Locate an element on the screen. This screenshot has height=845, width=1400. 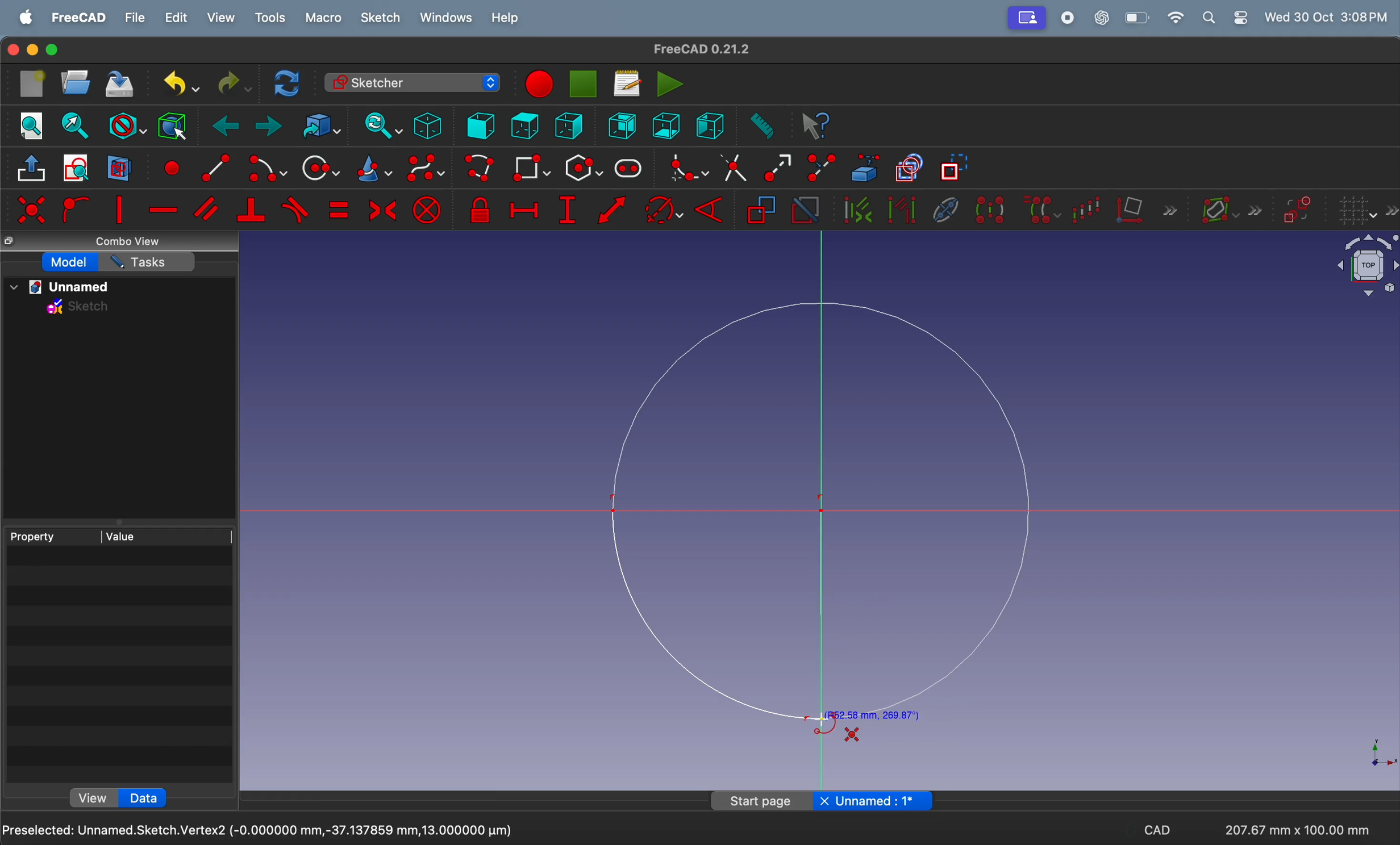
read marco is located at coordinates (627, 83).